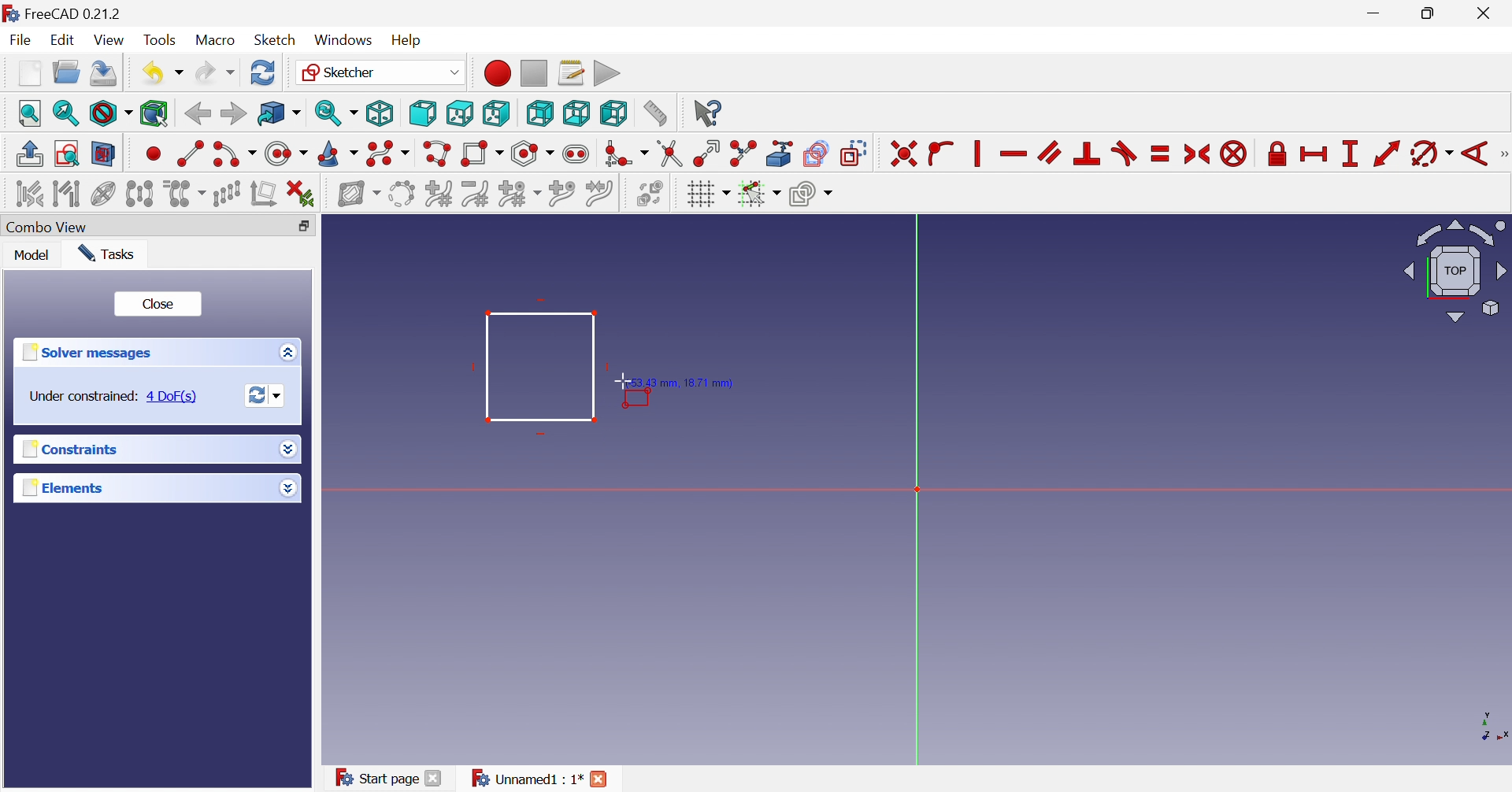 This screenshot has height=792, width=1512. What do you see at coordinates (388, 154) in the screenshot?
I see `Create B-spline` at bounding box center [388, 154].